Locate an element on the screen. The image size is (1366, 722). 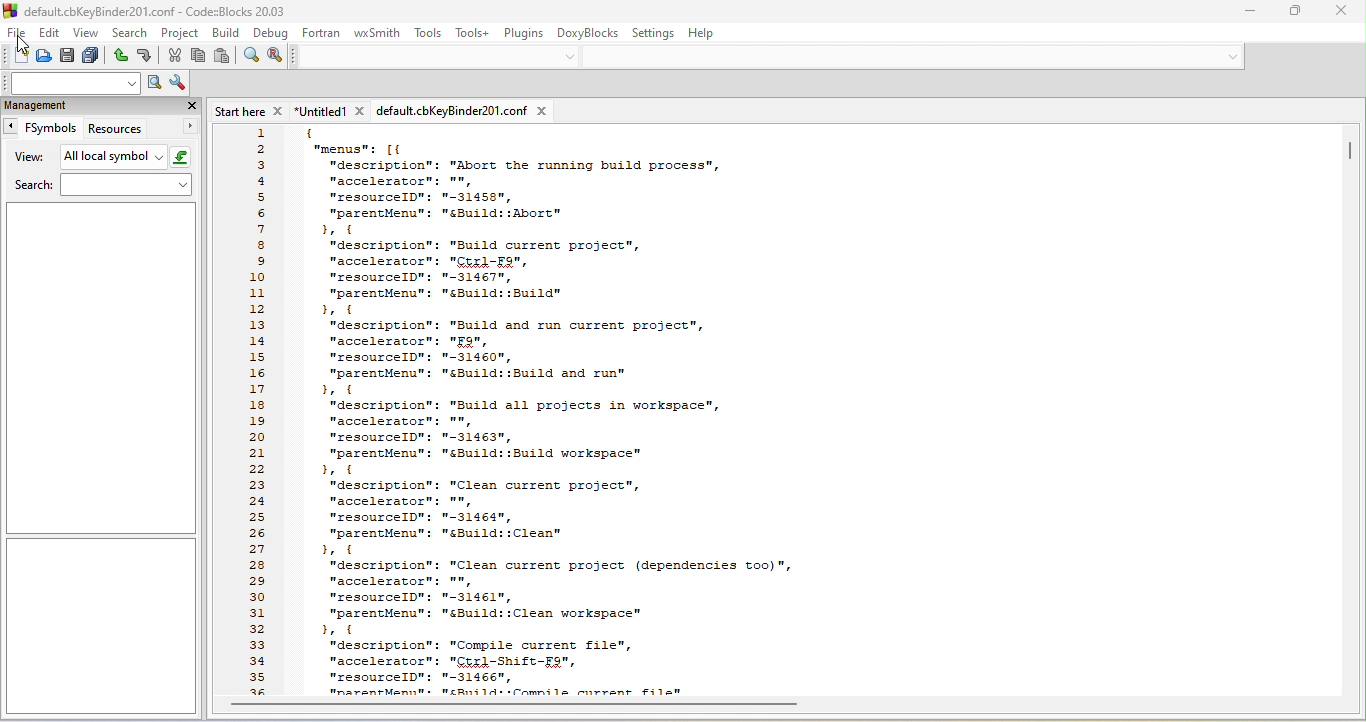
vertical scroll bar is located at coordinates (1351, 150).